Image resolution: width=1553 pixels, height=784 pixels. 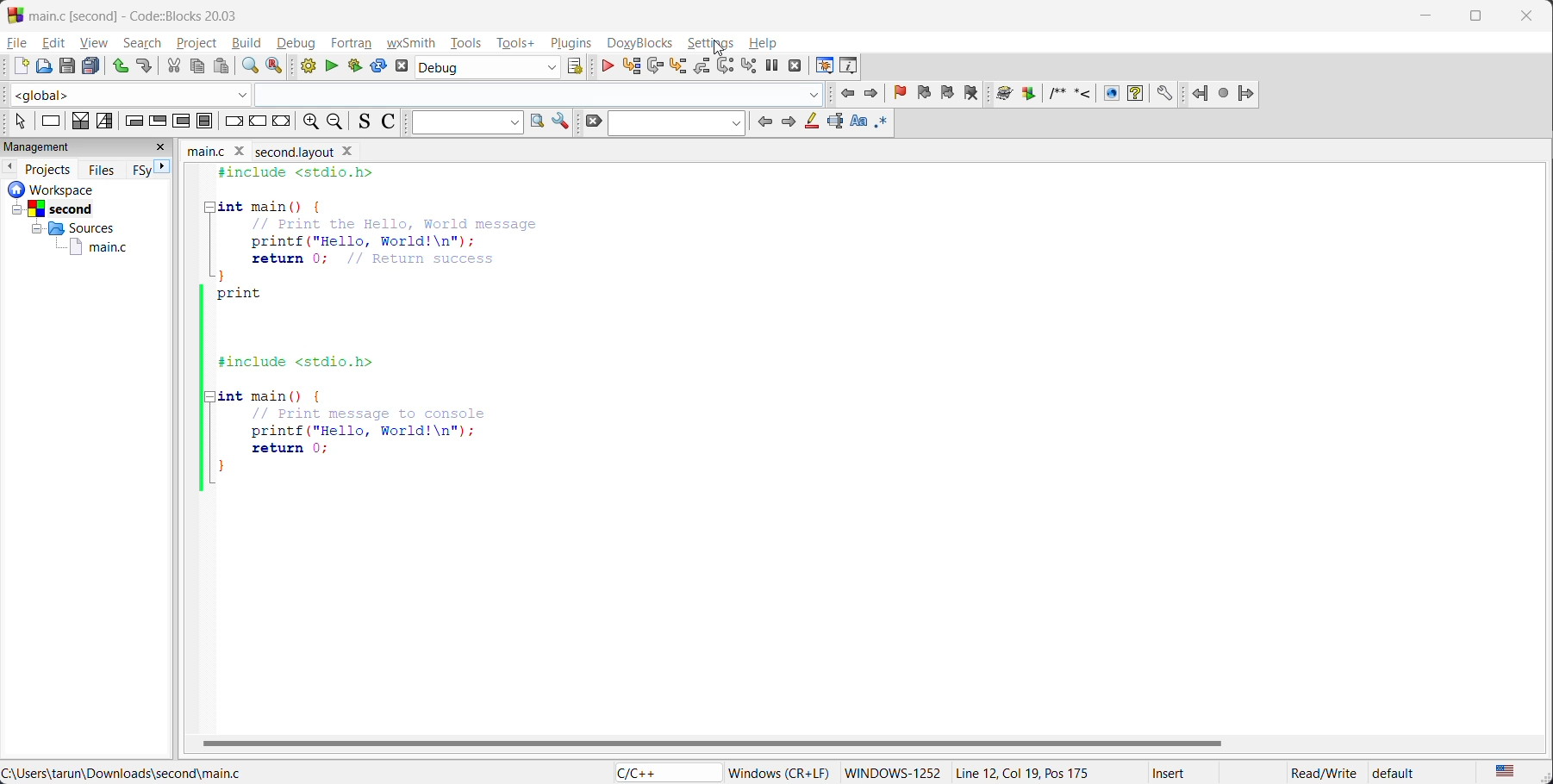 What do you see at coordinates (718, 47) in the screenshot?
I see `cursor` at bounding box center [718, 47].